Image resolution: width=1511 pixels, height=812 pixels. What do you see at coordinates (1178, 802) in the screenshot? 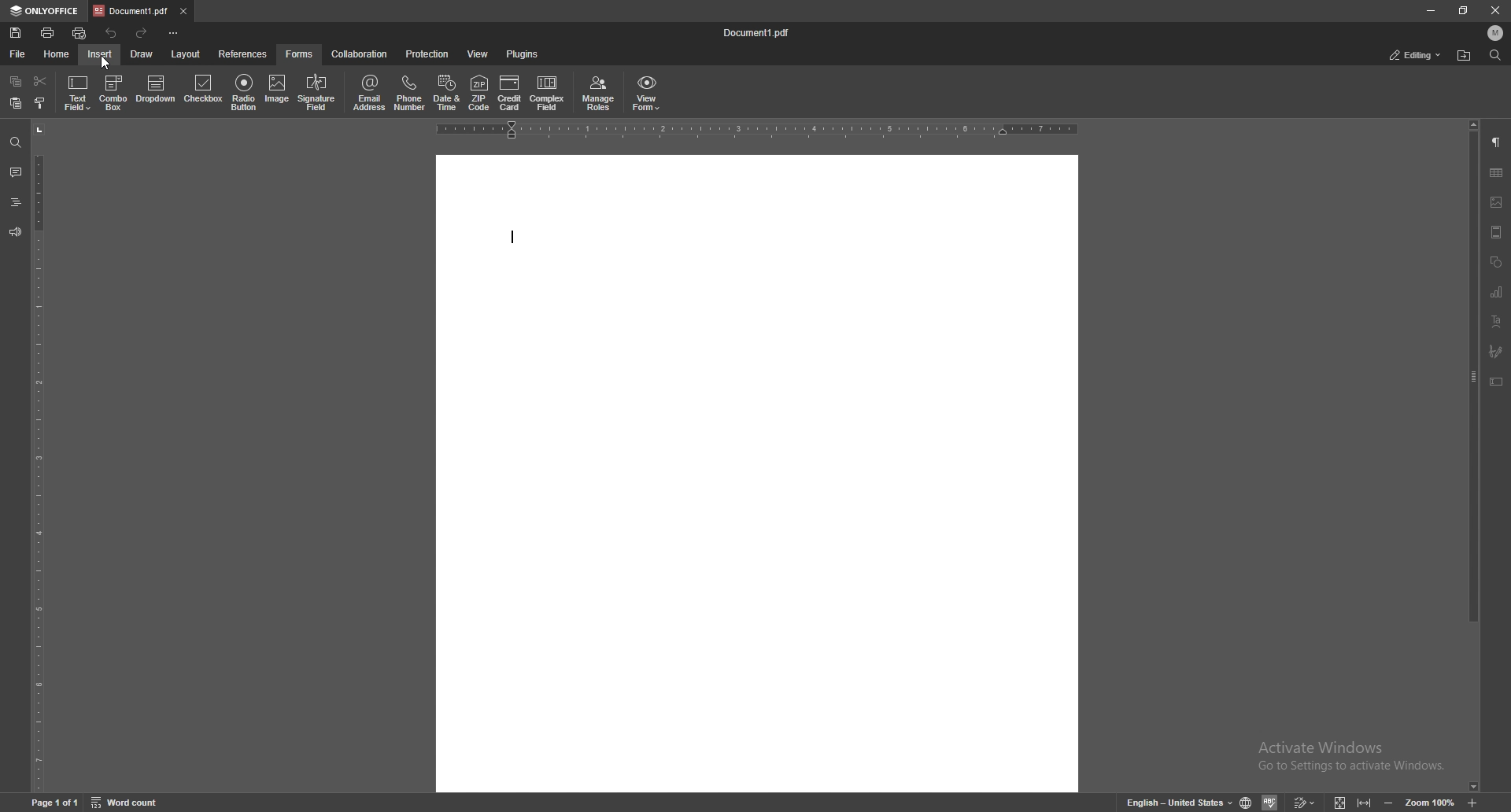
I see `set text language` at bounding box center [1178, 802].